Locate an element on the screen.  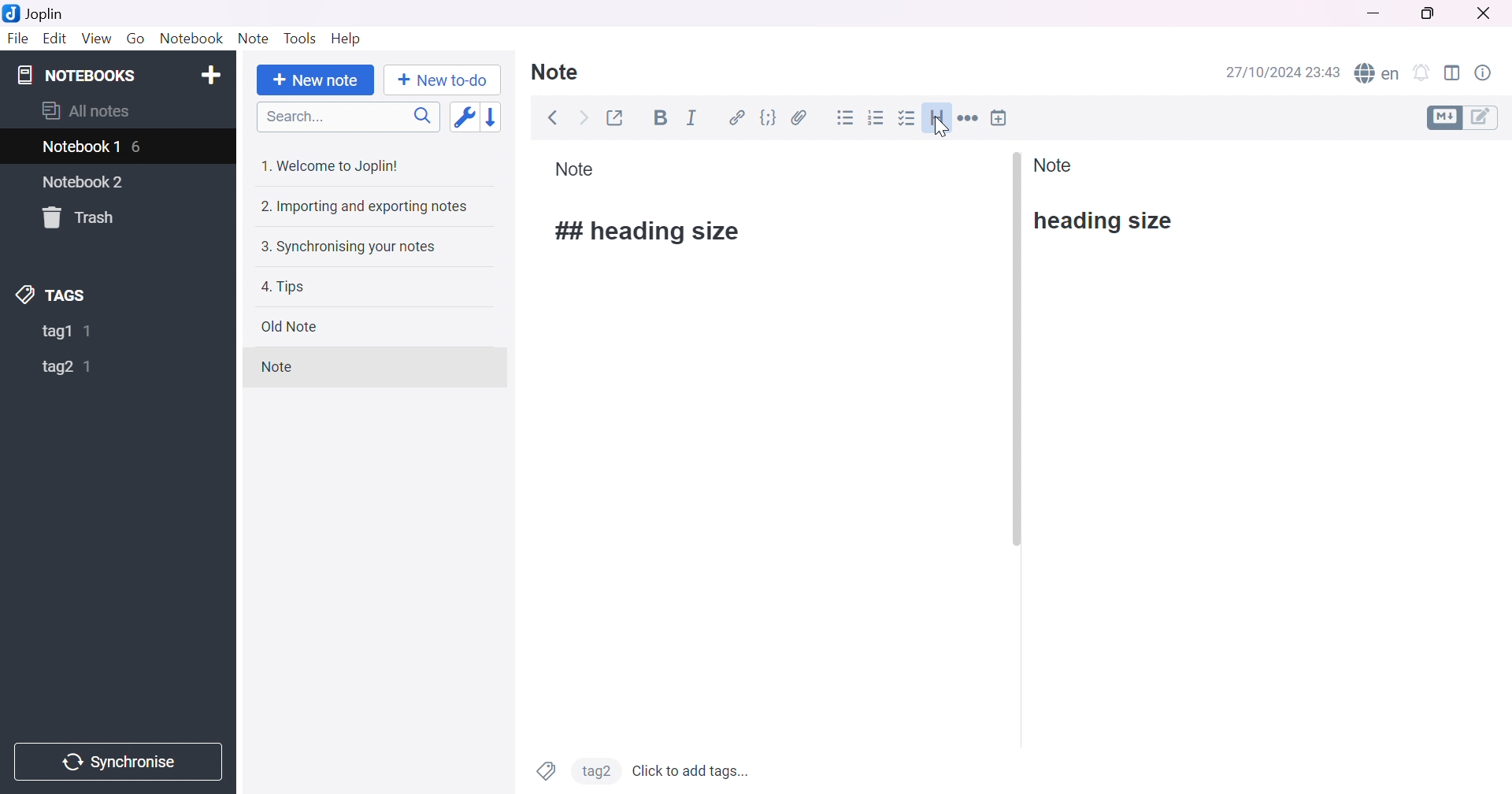
Italic is located at coordinates (693, 117).